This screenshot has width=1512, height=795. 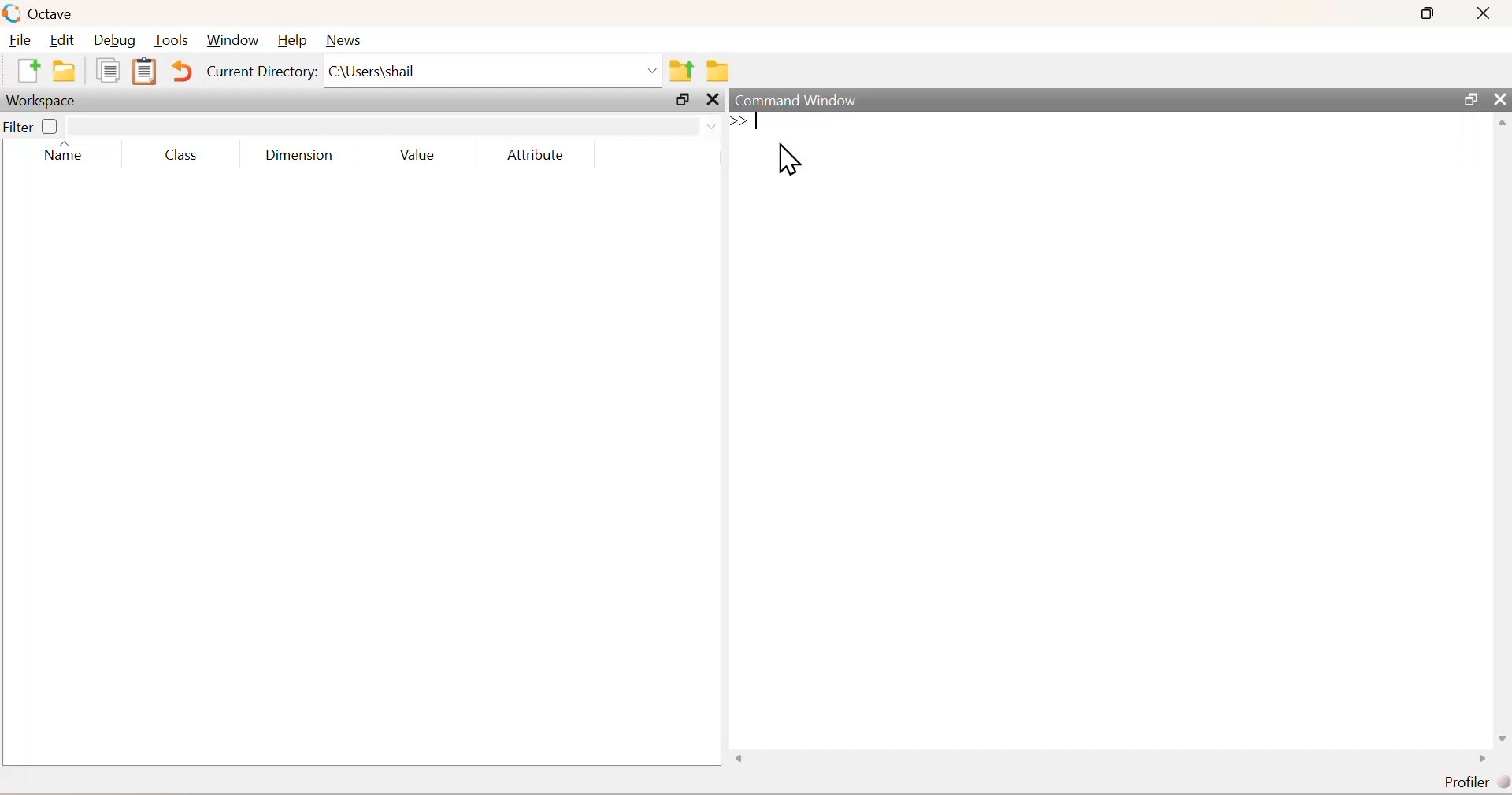 I want to click on close, so click(x=712, y=99).